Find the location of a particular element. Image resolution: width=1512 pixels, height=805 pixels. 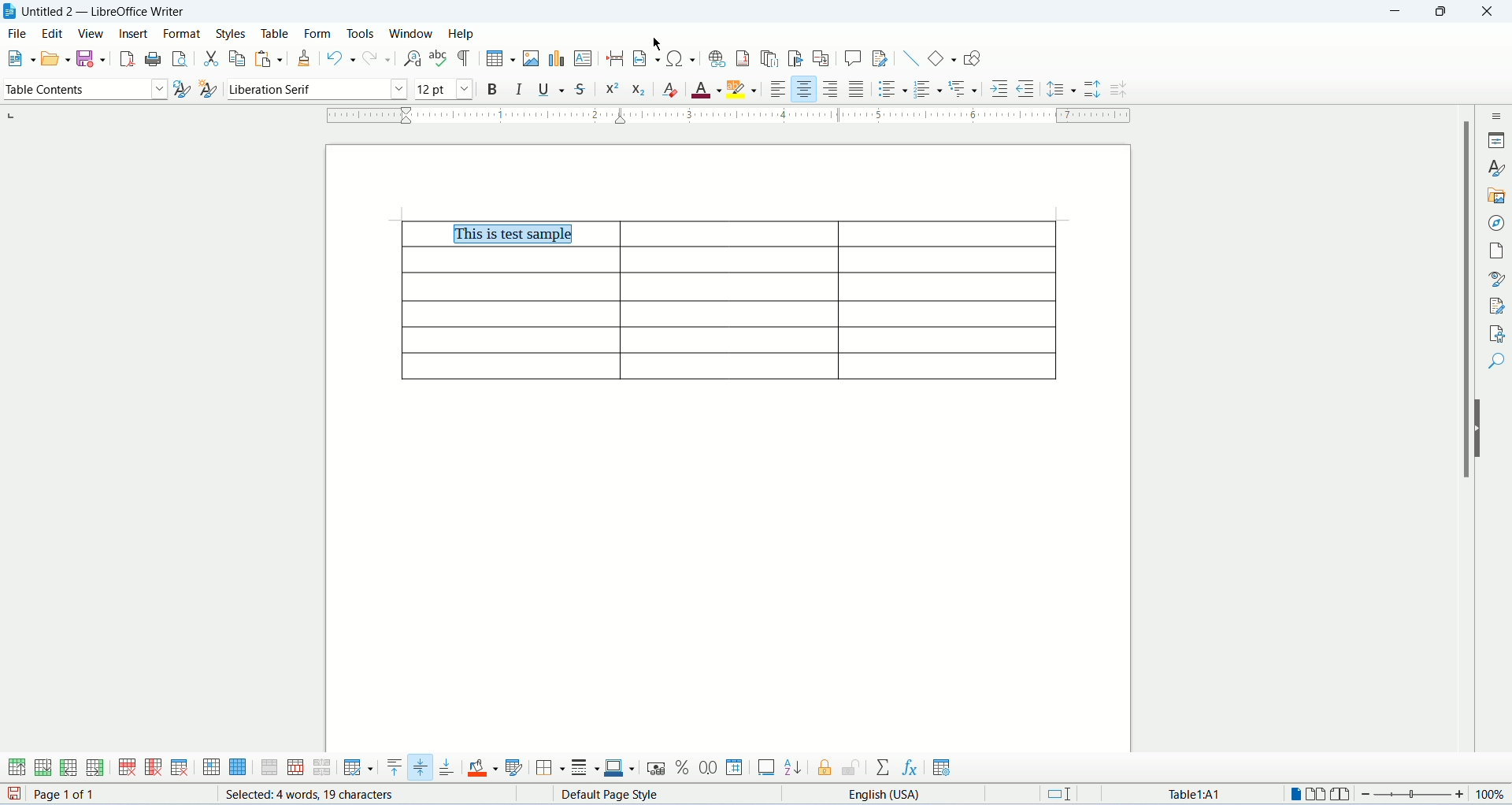

align right is located at coordinates (833, 88).